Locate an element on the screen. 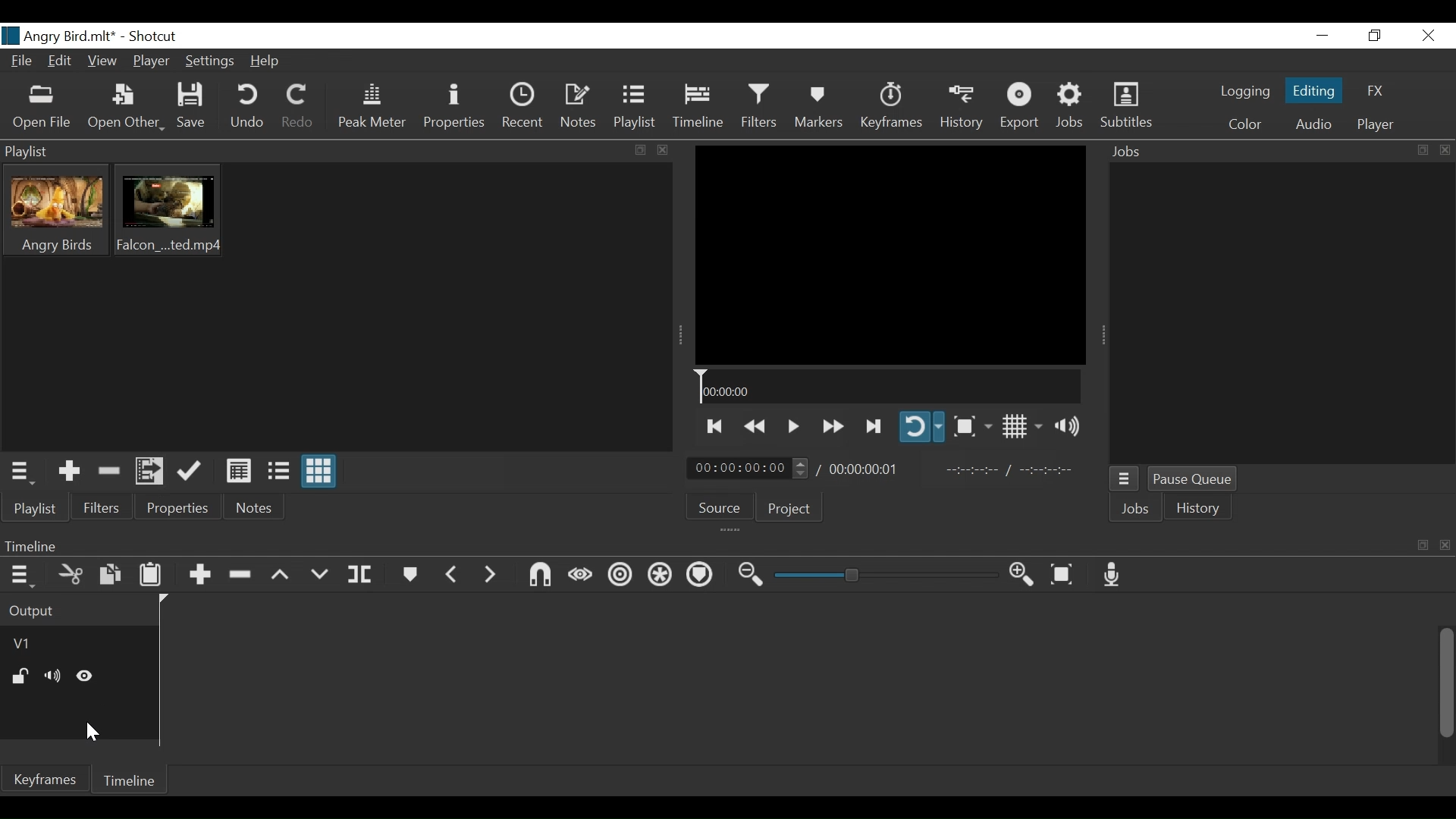 The height and width of the screenshot is (819, 1456). Filters is located at coordinates (104, 509).